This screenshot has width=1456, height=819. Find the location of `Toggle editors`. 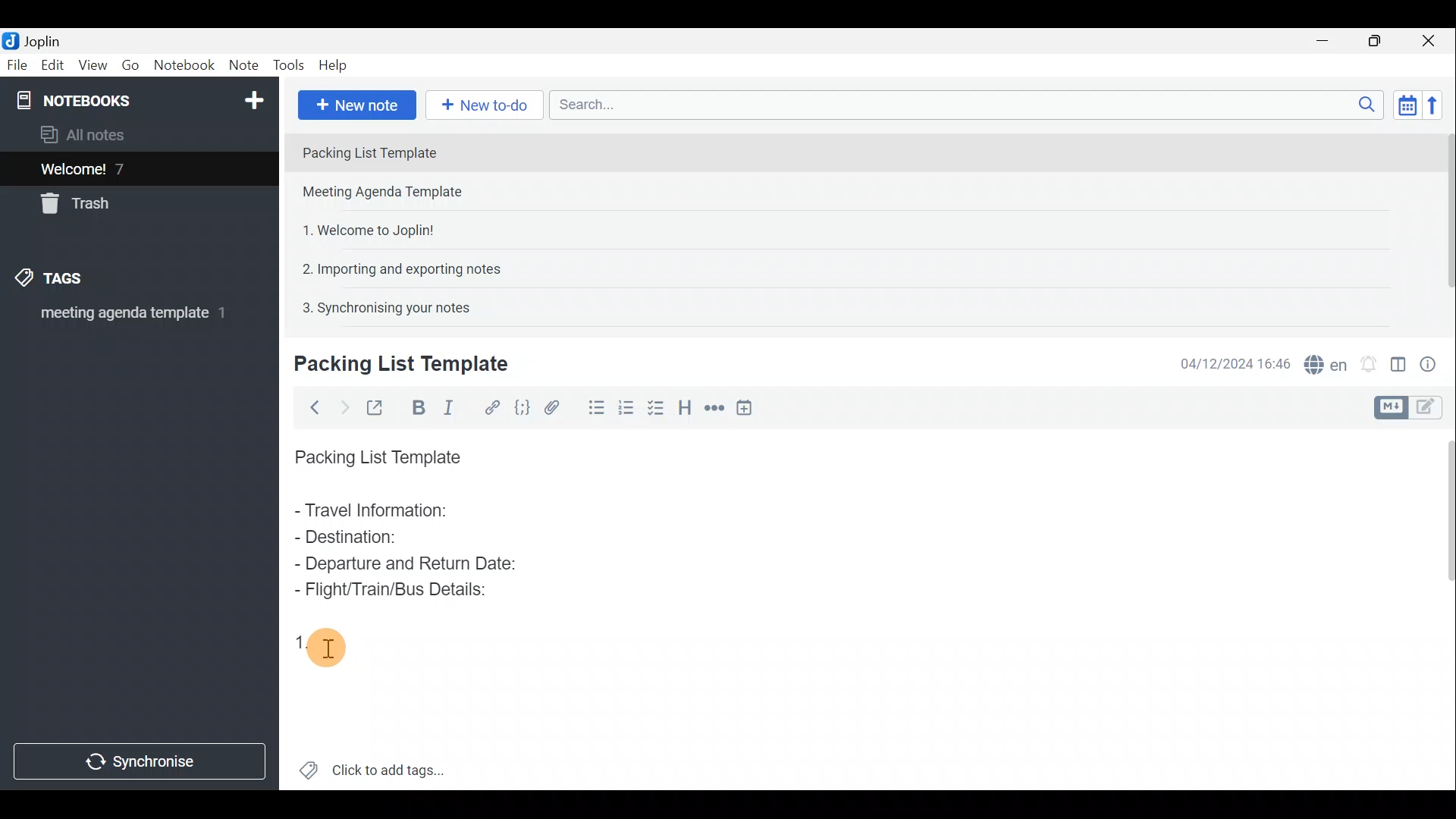

Toggle editors is located at coordinates (1433, 409).